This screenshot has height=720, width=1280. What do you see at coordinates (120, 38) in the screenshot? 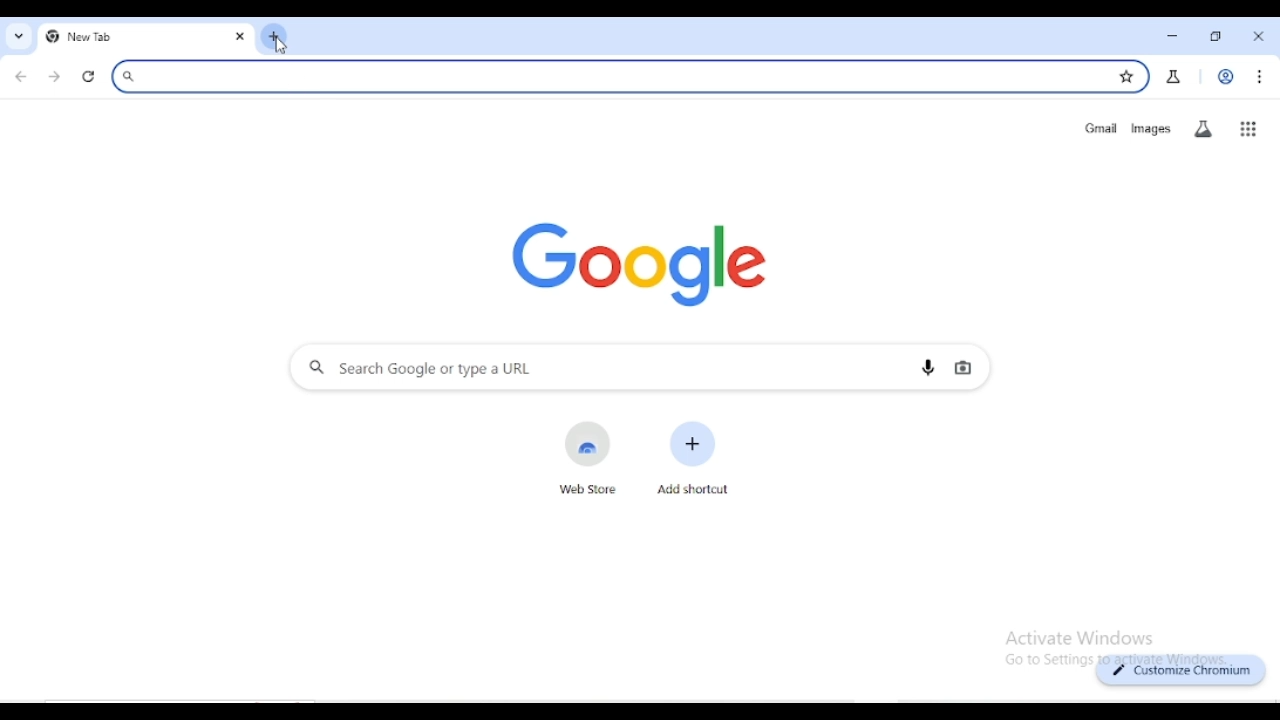
I see `new tab` at bounding box center [120, 38].